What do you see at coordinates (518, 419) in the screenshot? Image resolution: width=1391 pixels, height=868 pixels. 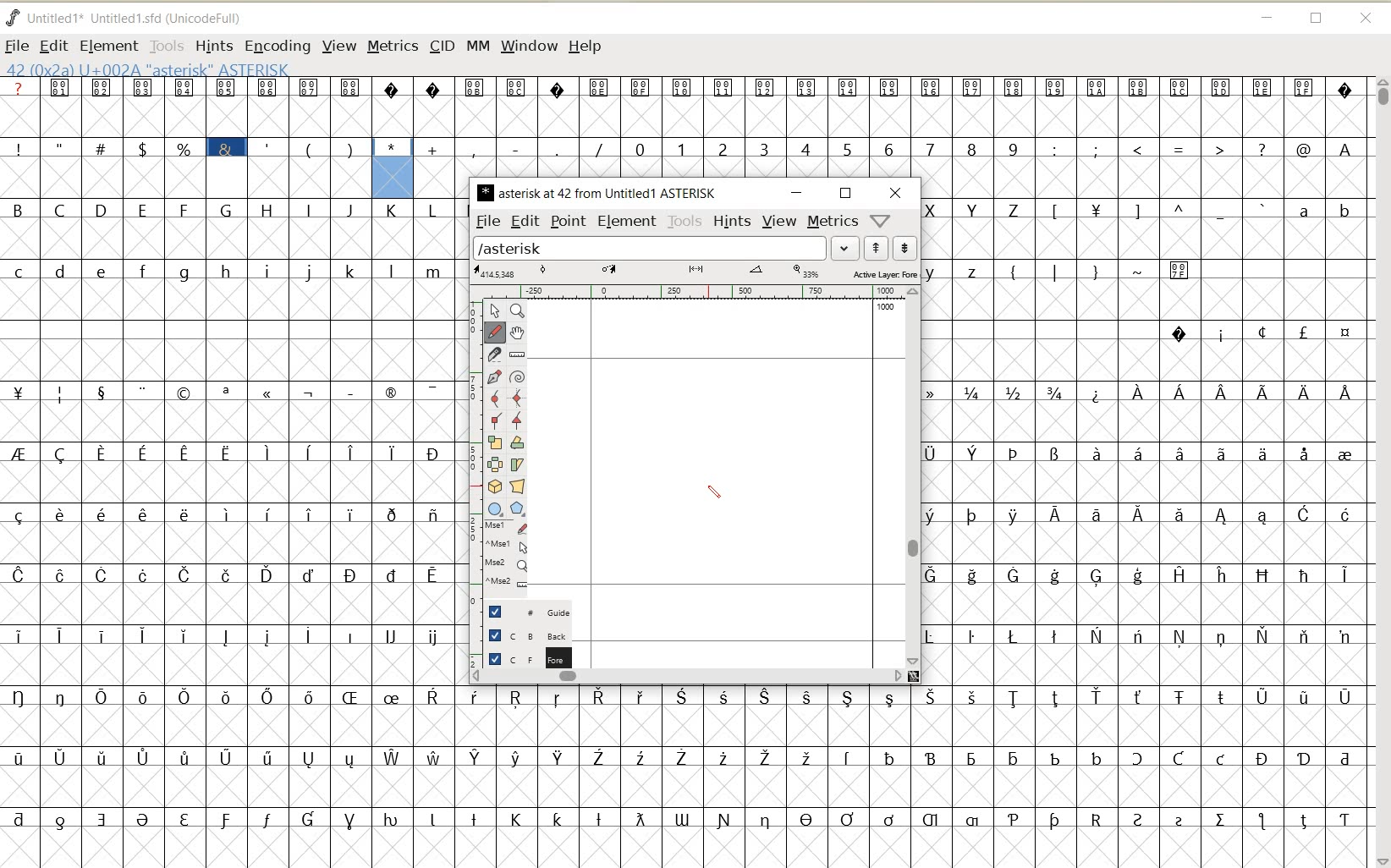 I see `add a tangent point` at bounding box center [518, 419].